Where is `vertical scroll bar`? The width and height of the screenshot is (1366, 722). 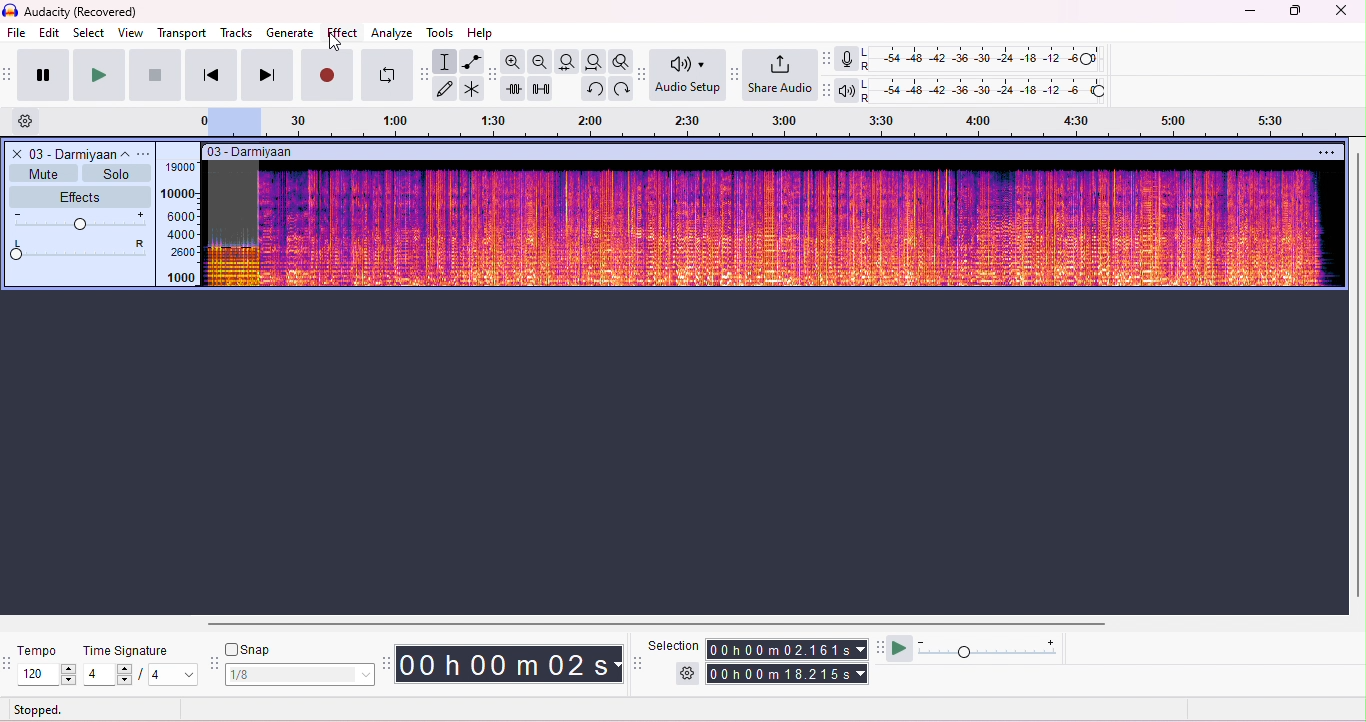
vertical scroll bar is located at coordinates (1357, 376).